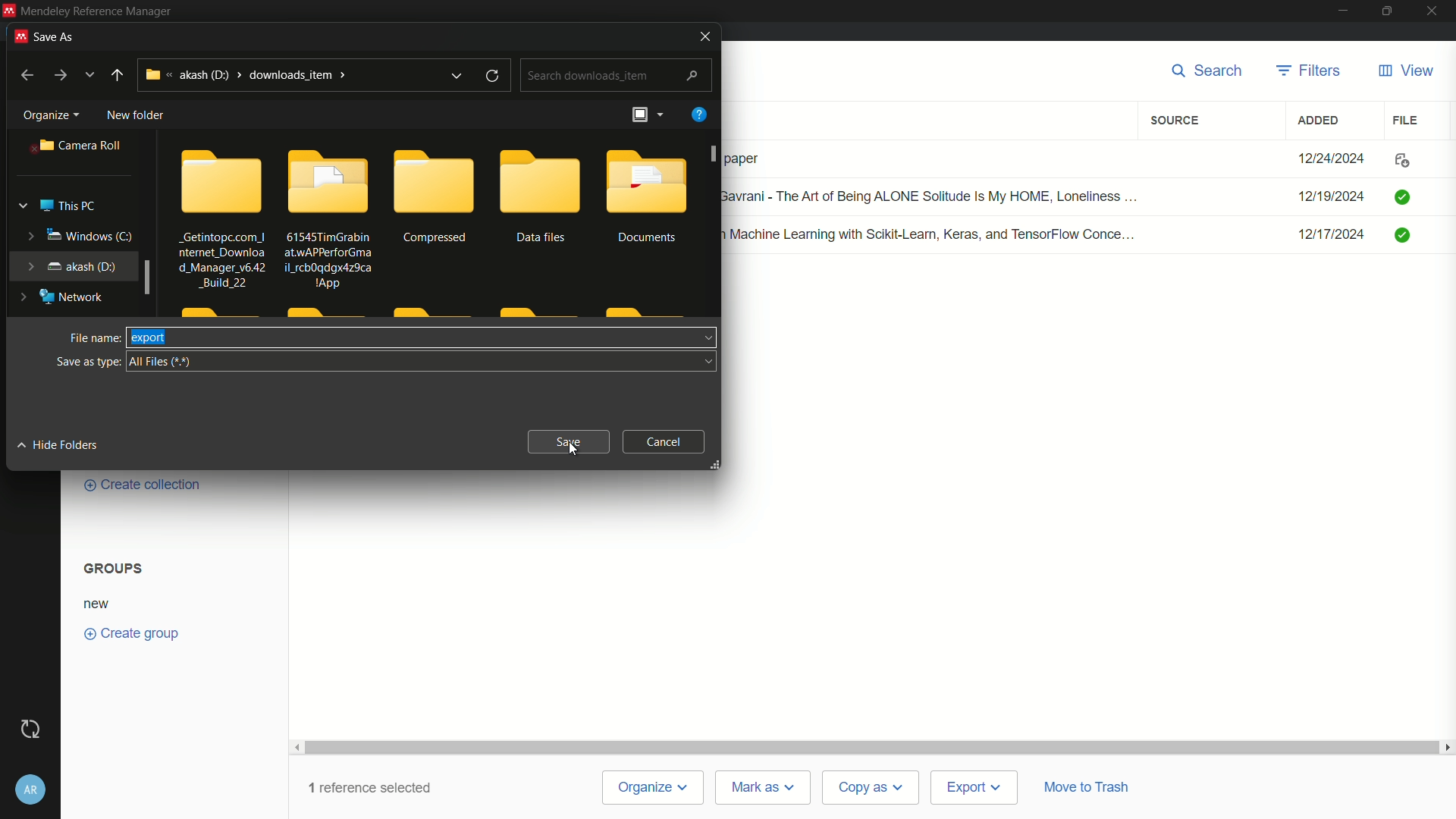 The height and width of the screenshot is (819, 1456). Describe the element at coordinates (617, 74) in the screenshot. I see `search bar` at that location.